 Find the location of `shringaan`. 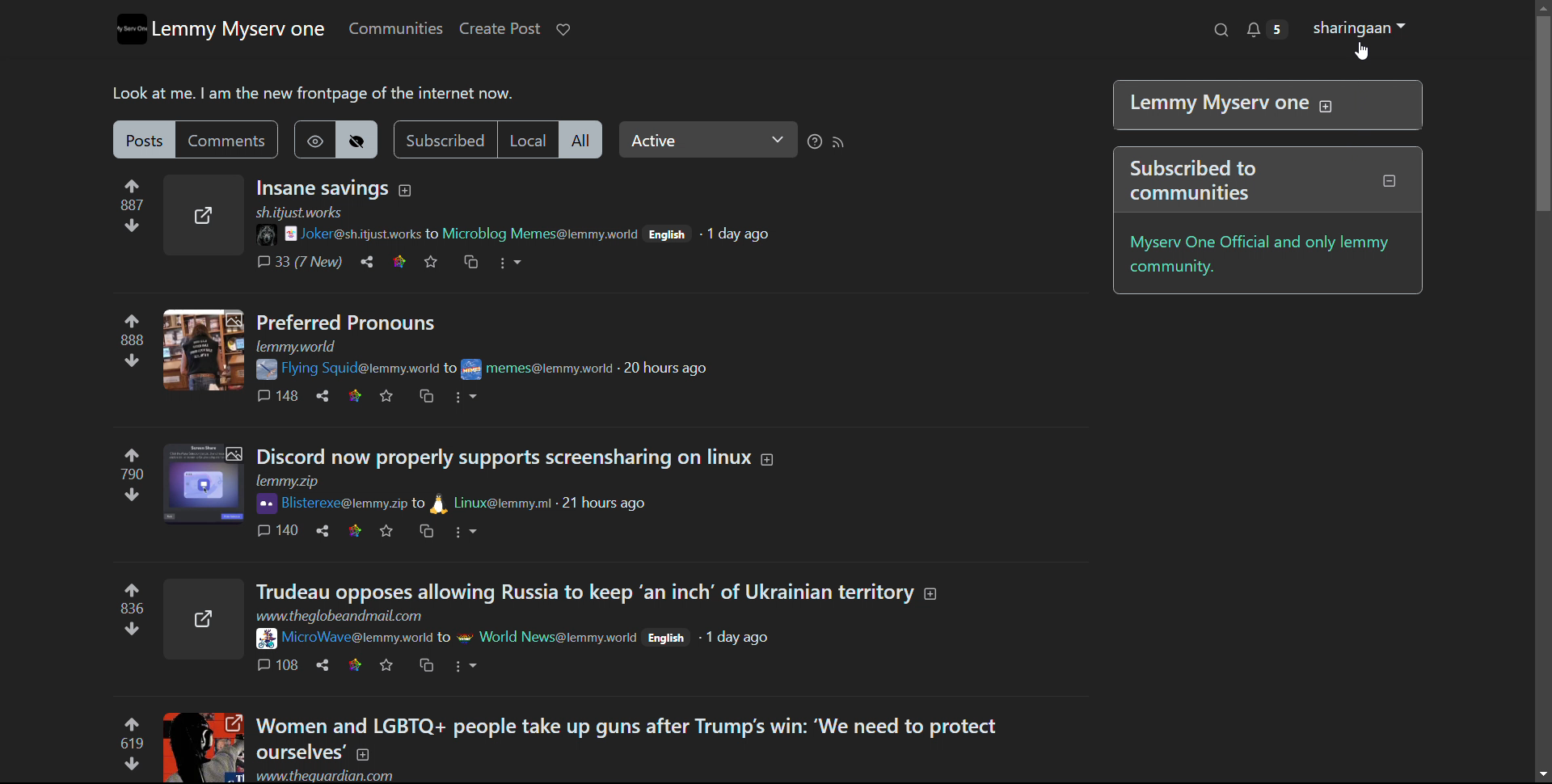

shringaan is located at coordinates (1360, 28).